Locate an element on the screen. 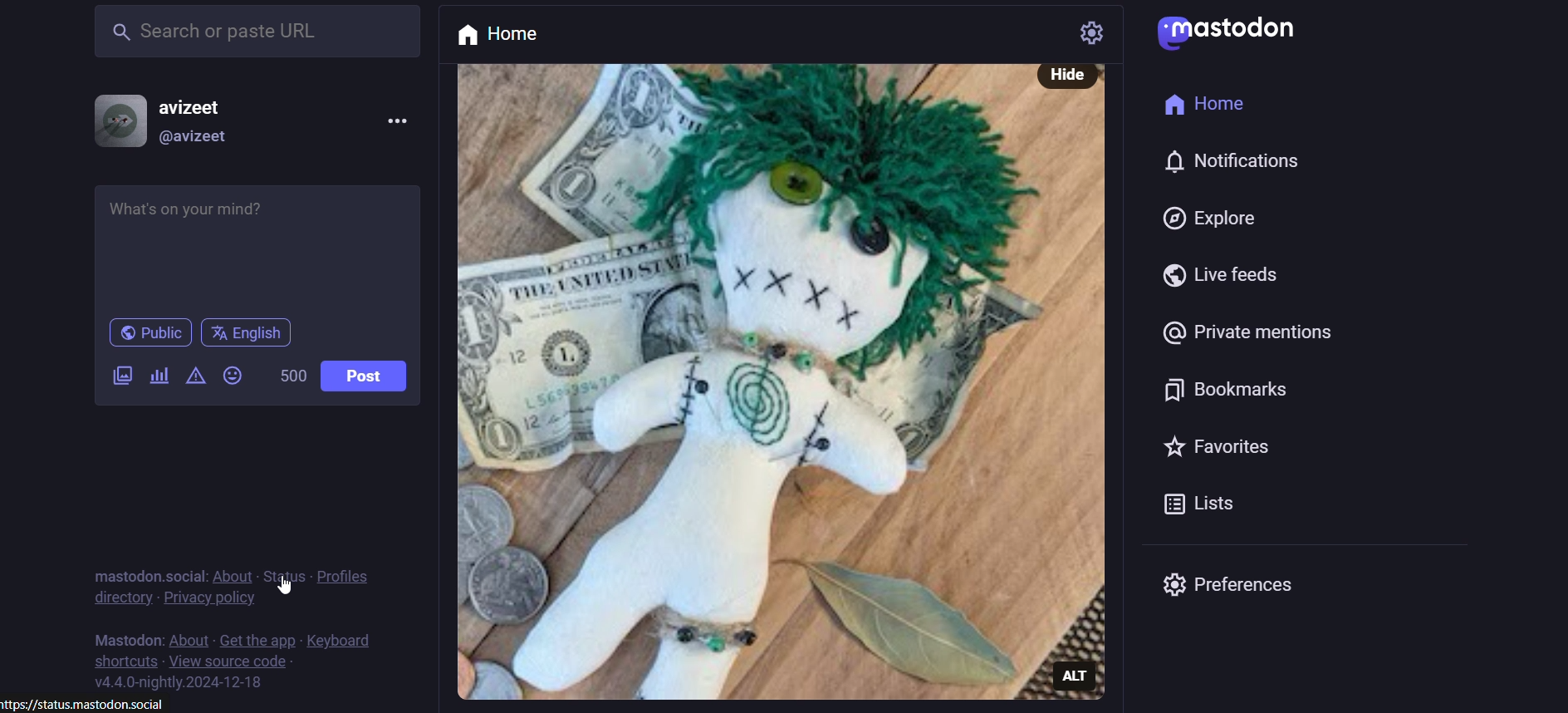  profiles is located at coordinates (350, 572).